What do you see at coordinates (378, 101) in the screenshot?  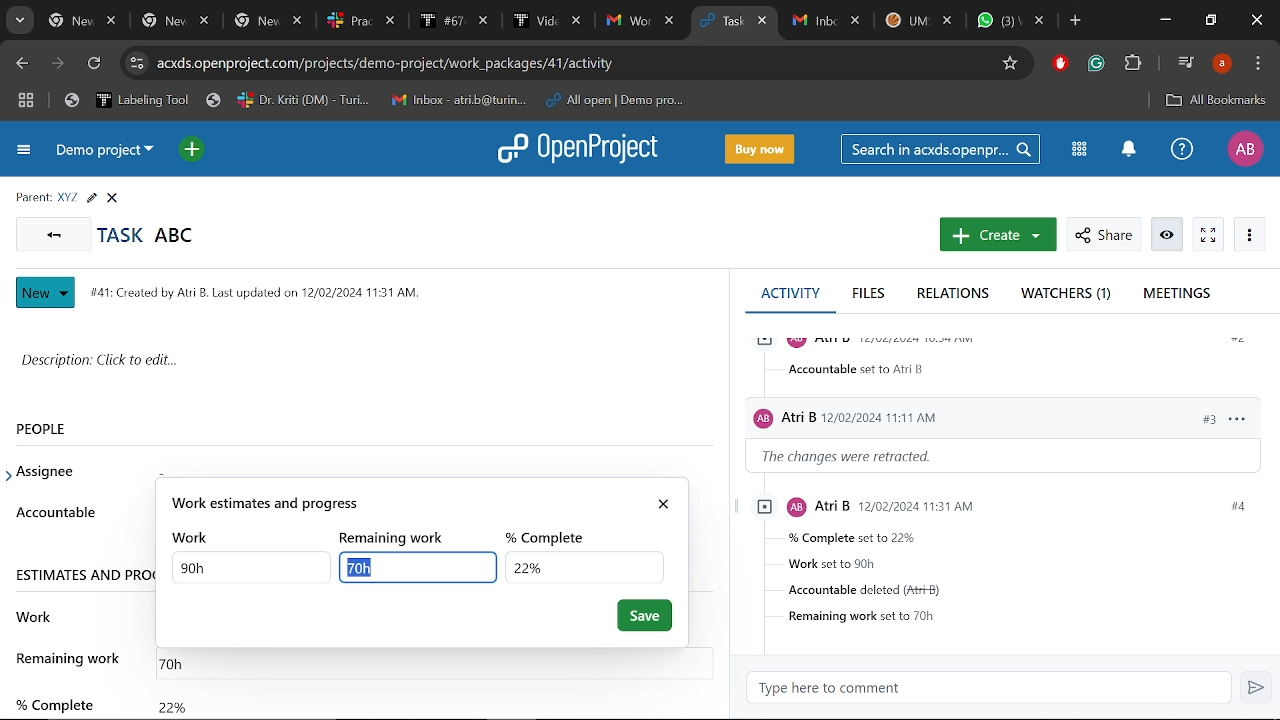 I see `Bookmarked tabs` at bounding box center [378, 101].